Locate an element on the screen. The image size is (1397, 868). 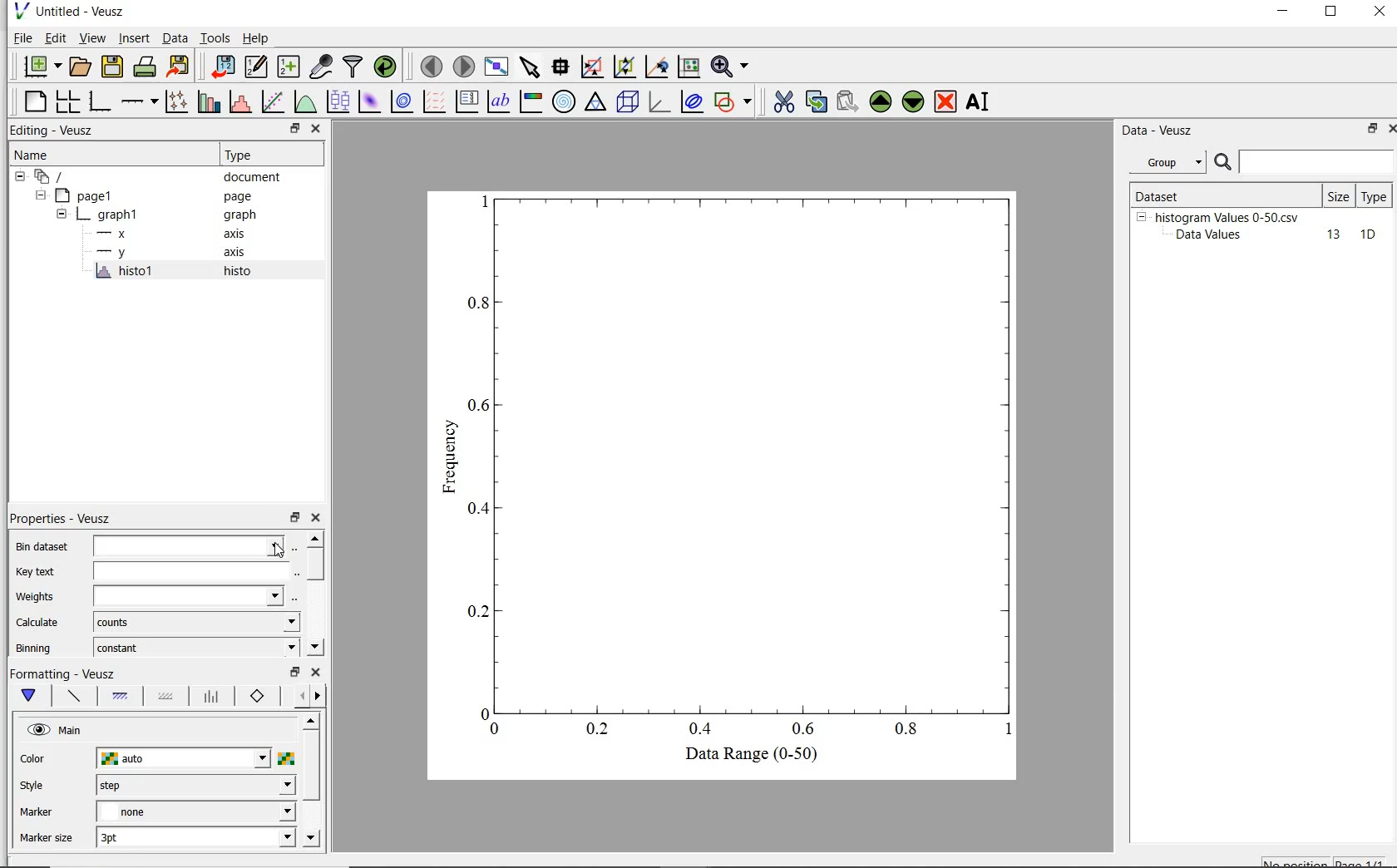
select items from the graph scroll is located at coordinates (531, 65).